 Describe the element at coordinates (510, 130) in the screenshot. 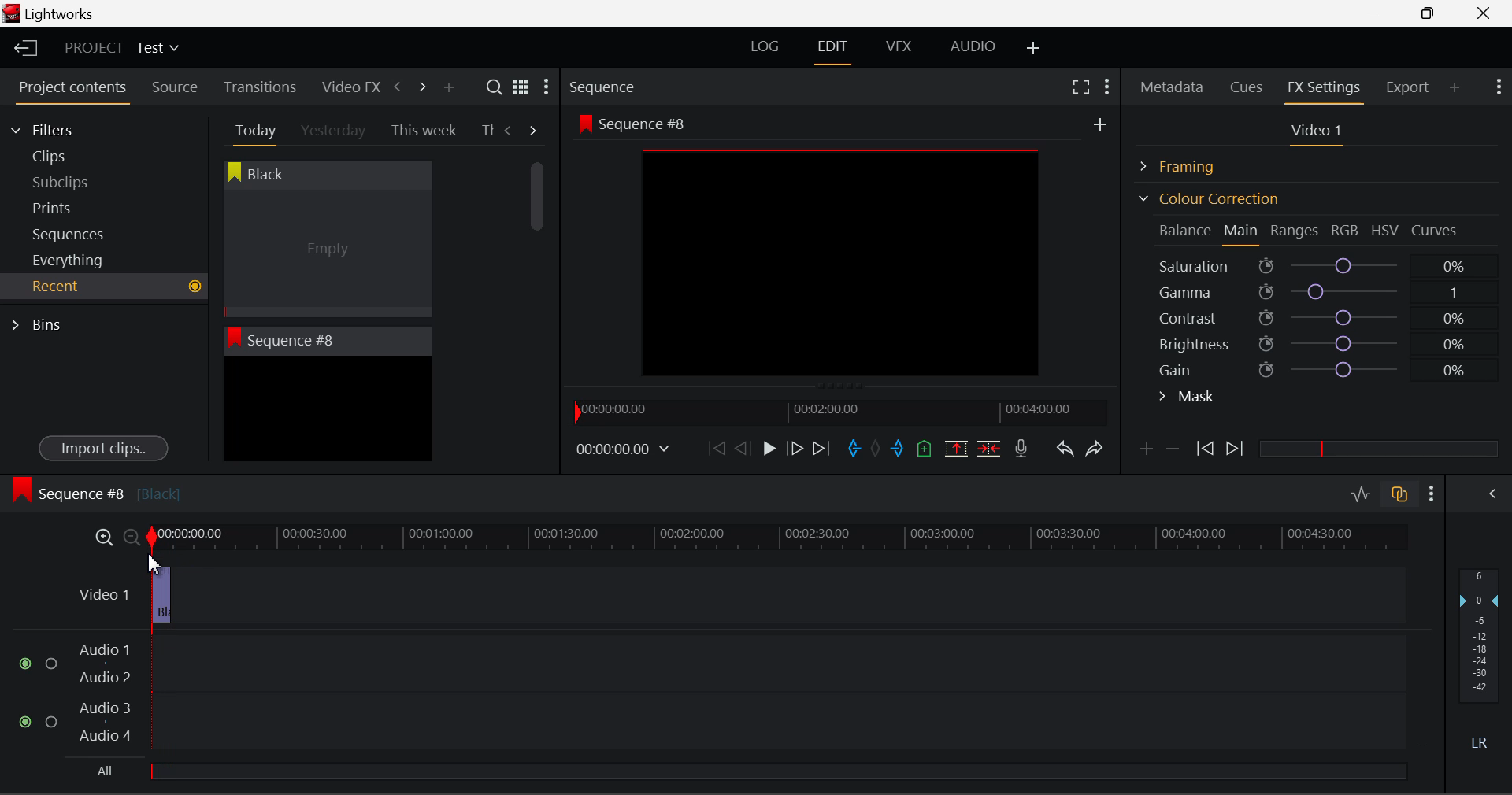

I see `Previous Tab` at that location.